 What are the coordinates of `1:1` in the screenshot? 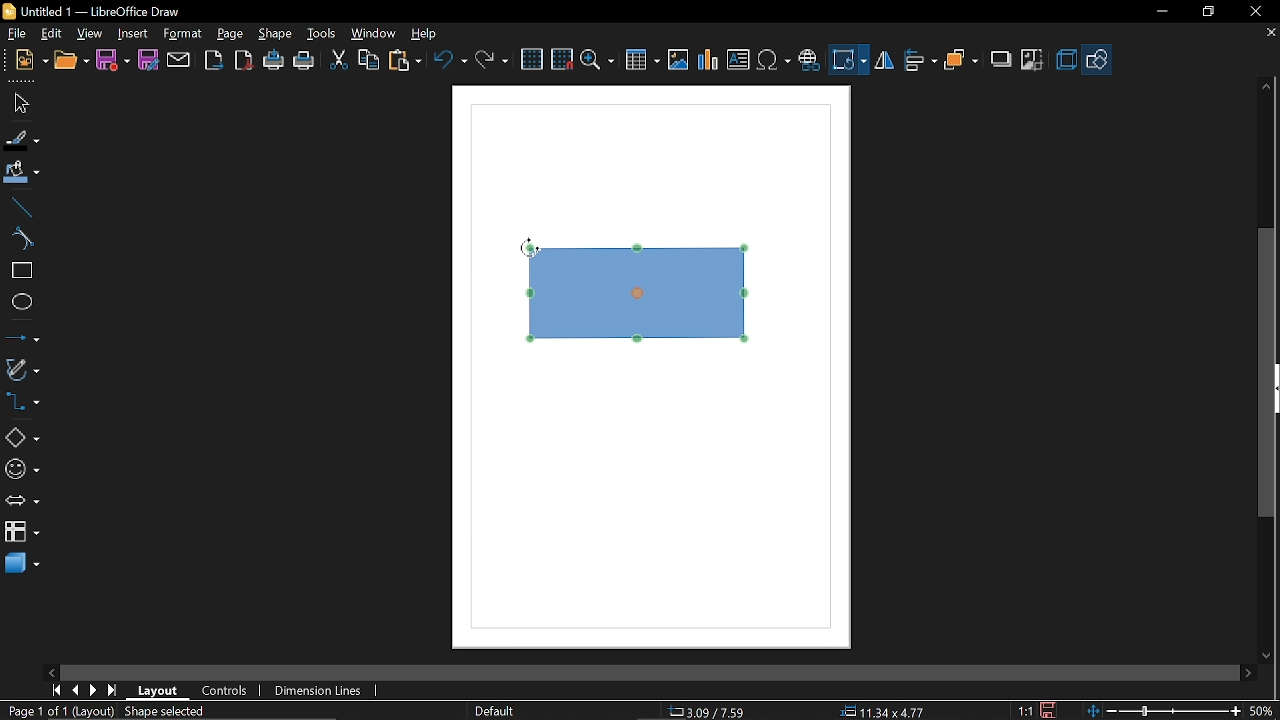 It's located at (1025, 710).